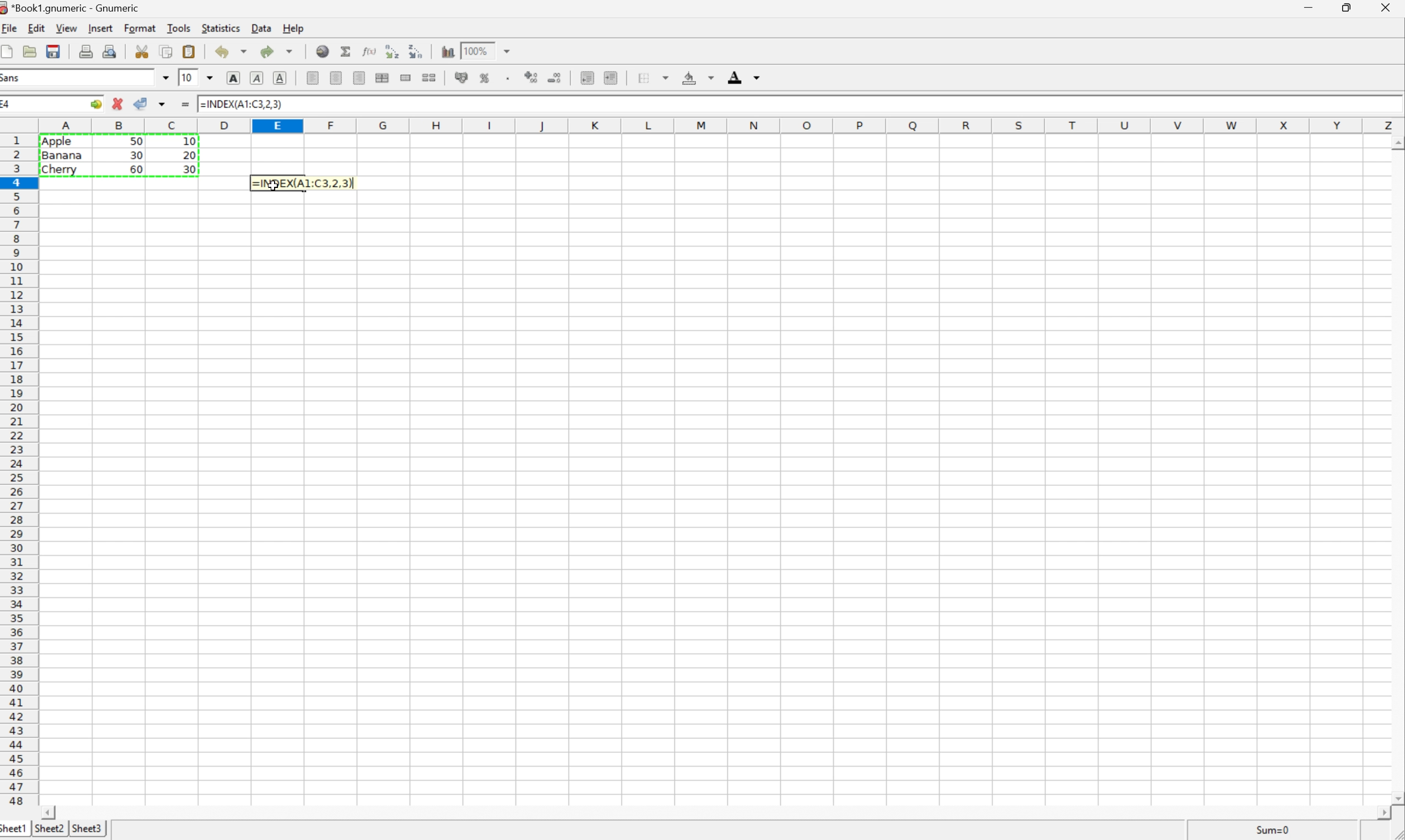  I want to click on row number, so click(19, 470).